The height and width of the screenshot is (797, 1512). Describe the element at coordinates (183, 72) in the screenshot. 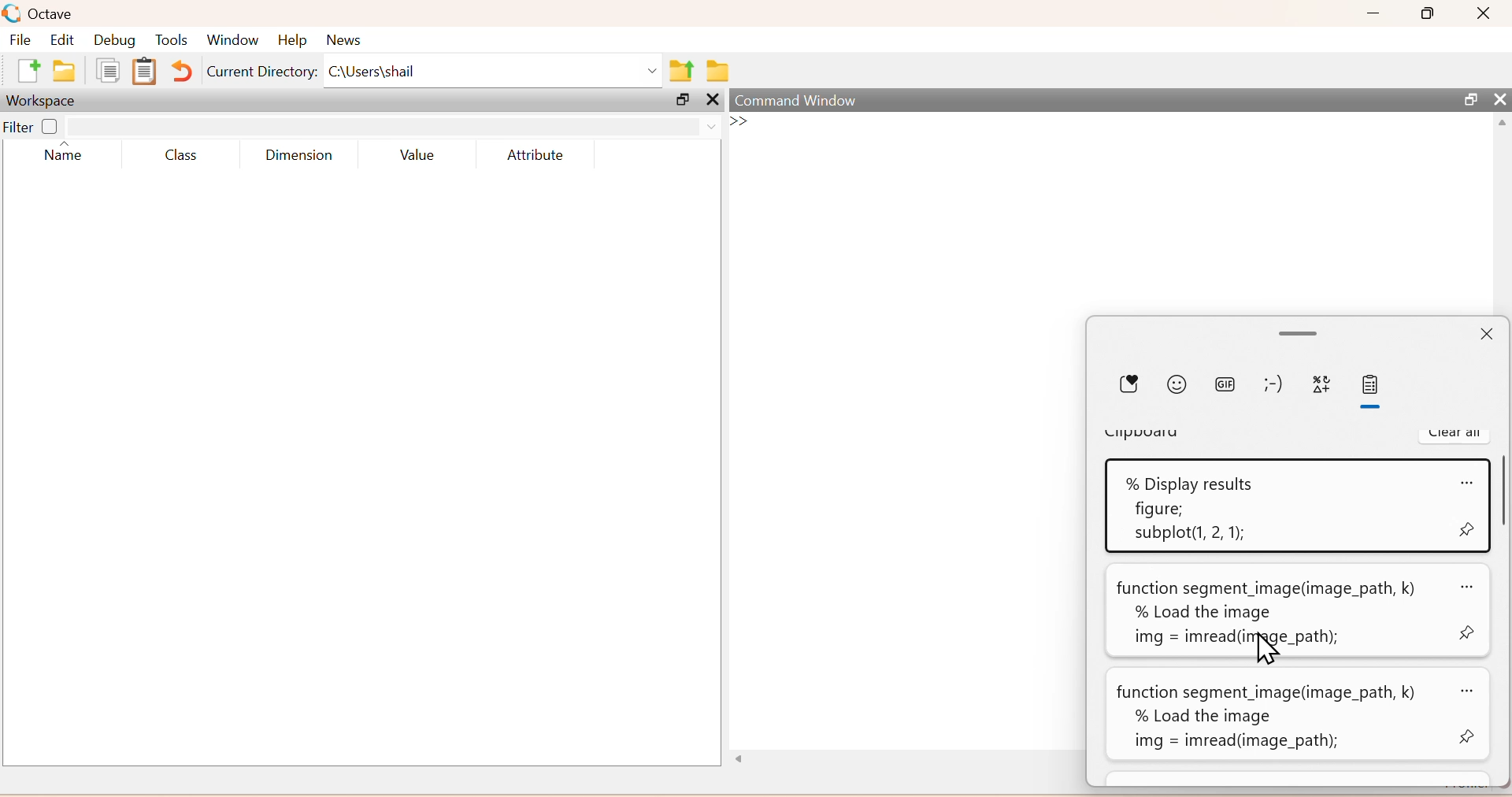

I see `Undo` at that location.